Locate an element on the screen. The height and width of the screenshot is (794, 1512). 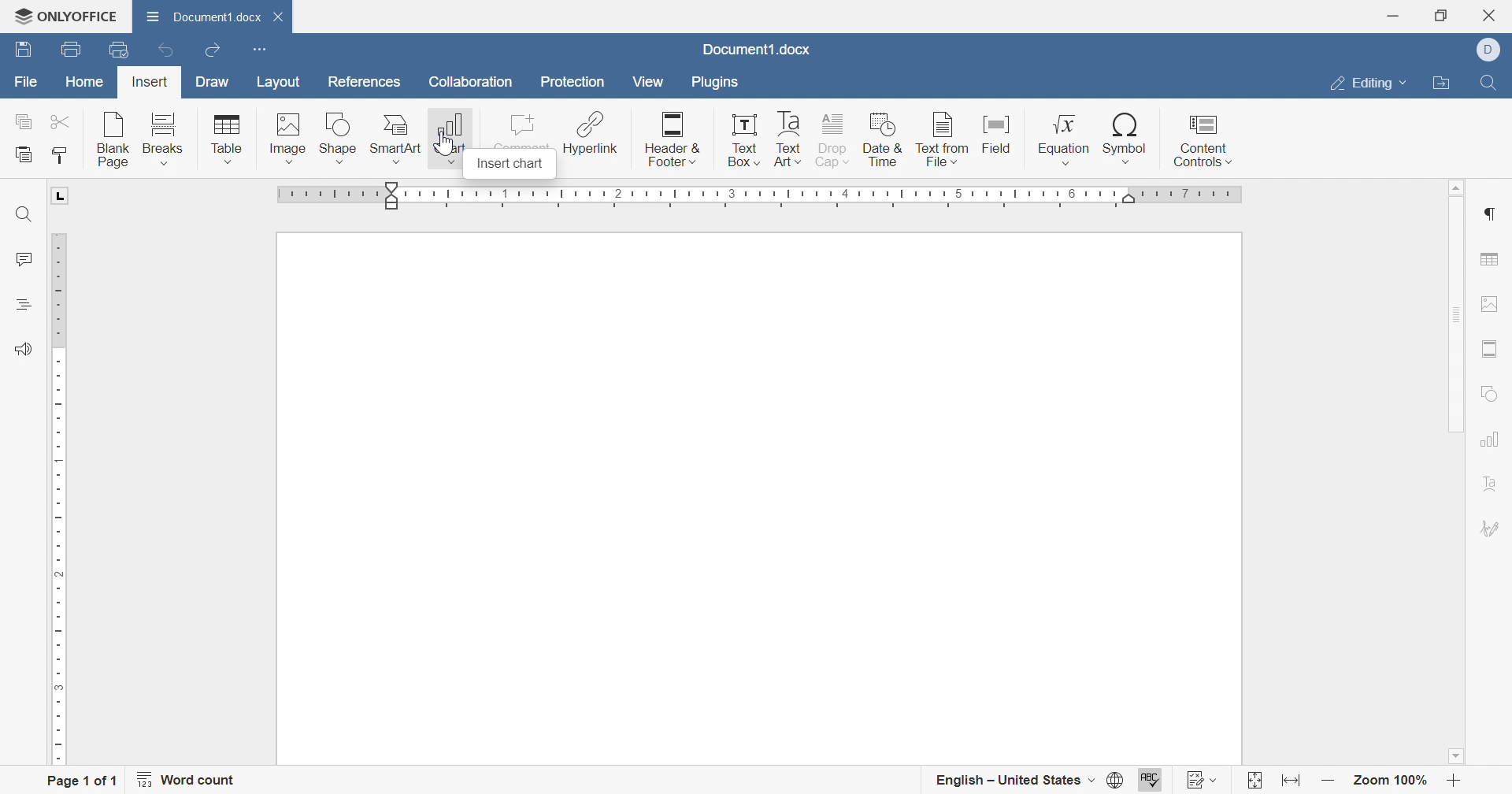
Fit to width is located at coordinates (1289, 778).